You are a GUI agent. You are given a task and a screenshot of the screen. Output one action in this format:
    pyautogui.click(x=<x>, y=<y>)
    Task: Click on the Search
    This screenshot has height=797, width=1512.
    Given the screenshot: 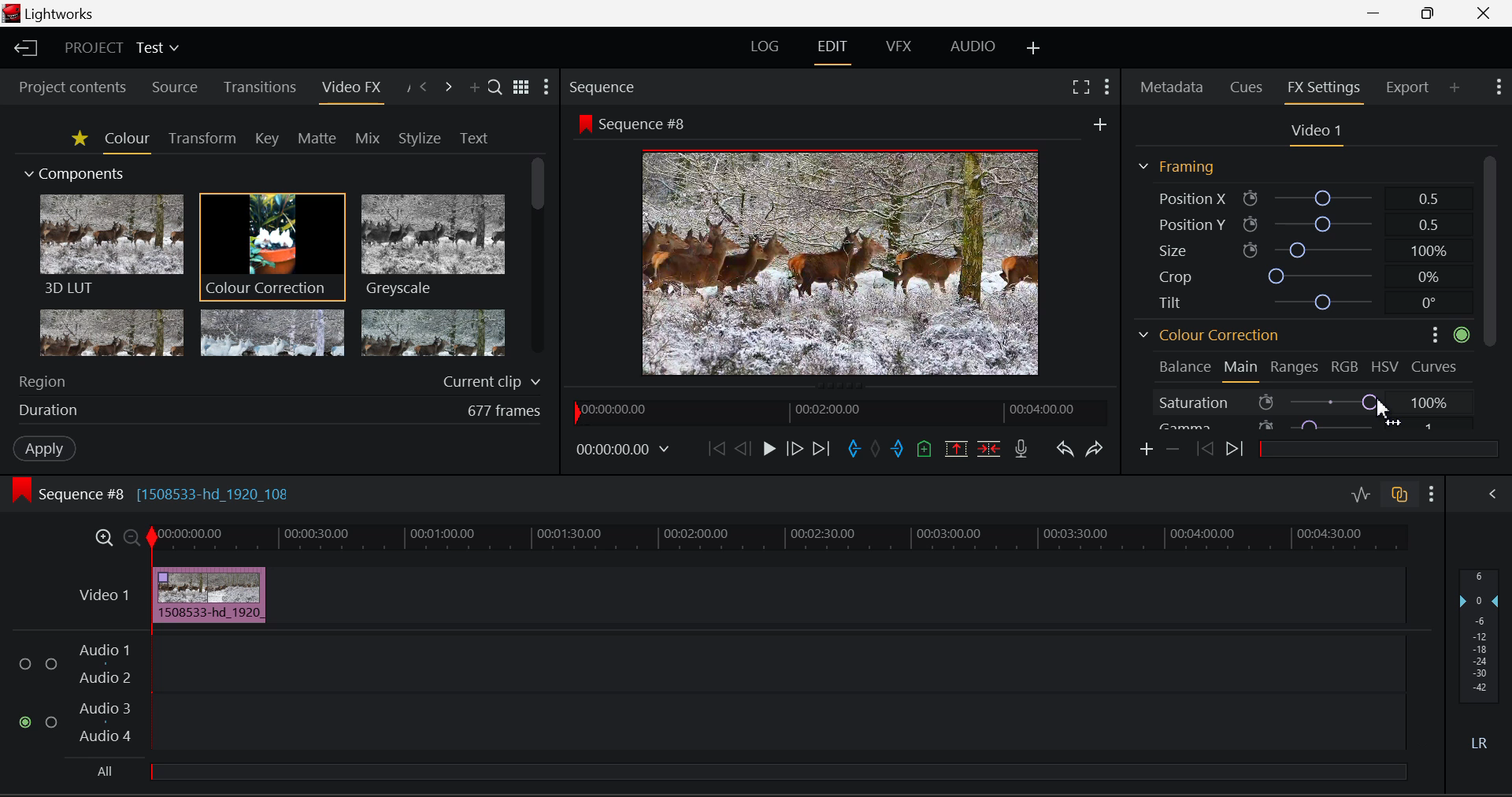 What is the action you would take?
    pyautogui.click(x=492, y=84)
    